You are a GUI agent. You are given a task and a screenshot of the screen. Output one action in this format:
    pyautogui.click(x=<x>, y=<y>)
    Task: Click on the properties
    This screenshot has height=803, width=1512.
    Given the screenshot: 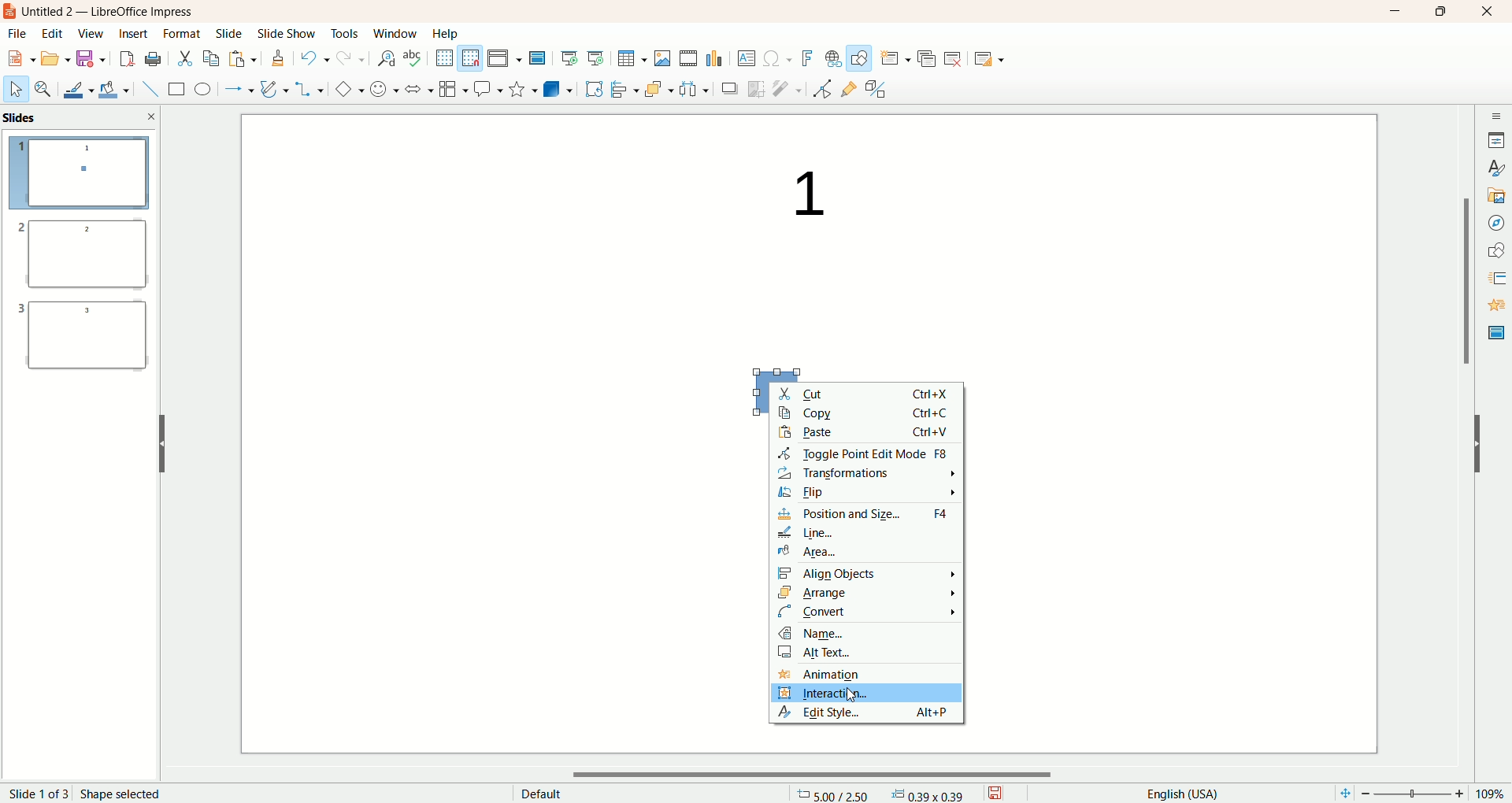 What is the action you would take?
    pyautogui.click(x=1496, y=139)
    